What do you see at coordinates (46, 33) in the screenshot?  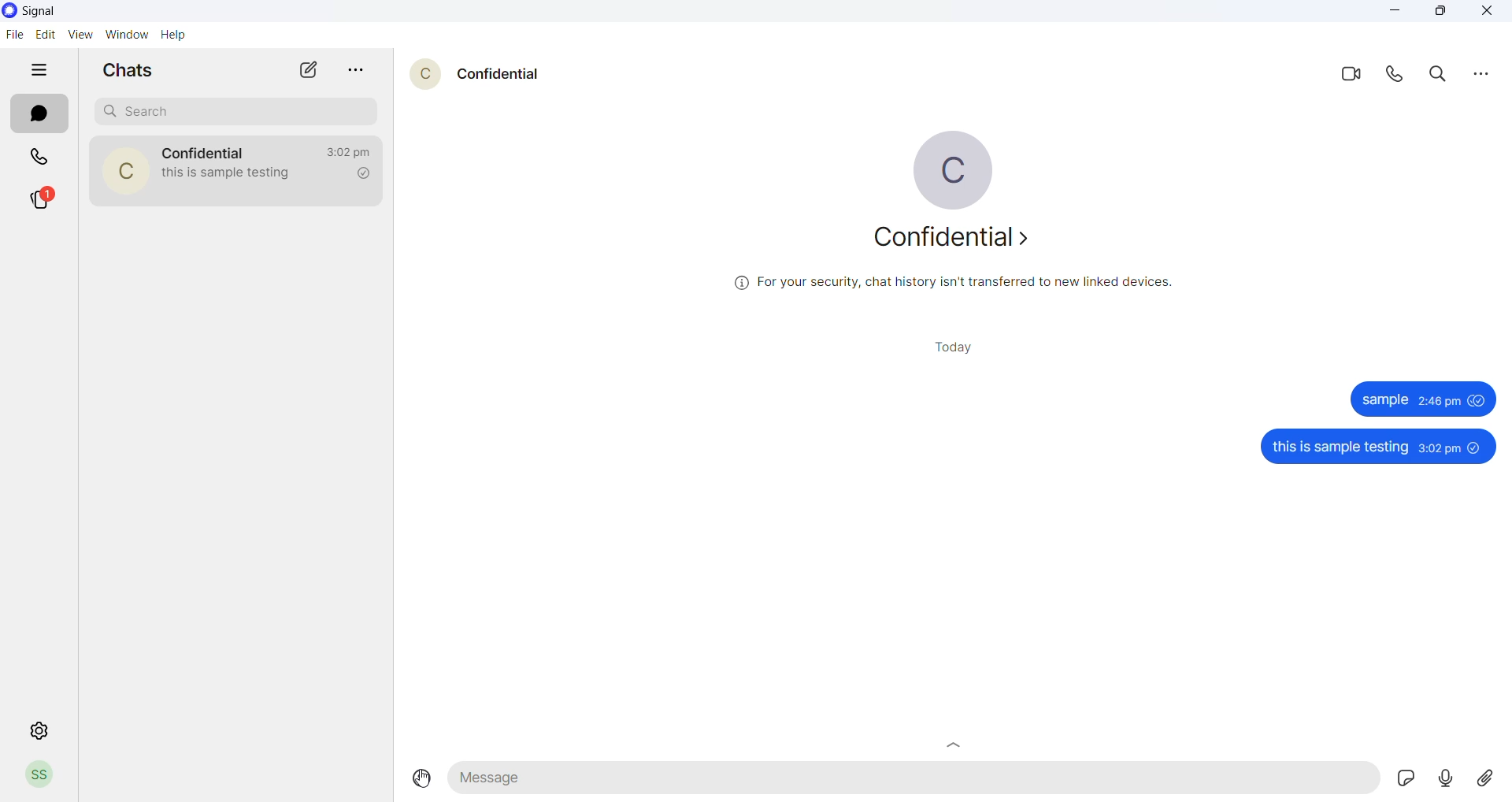 I see `edit` at bounding box center [46, 33].